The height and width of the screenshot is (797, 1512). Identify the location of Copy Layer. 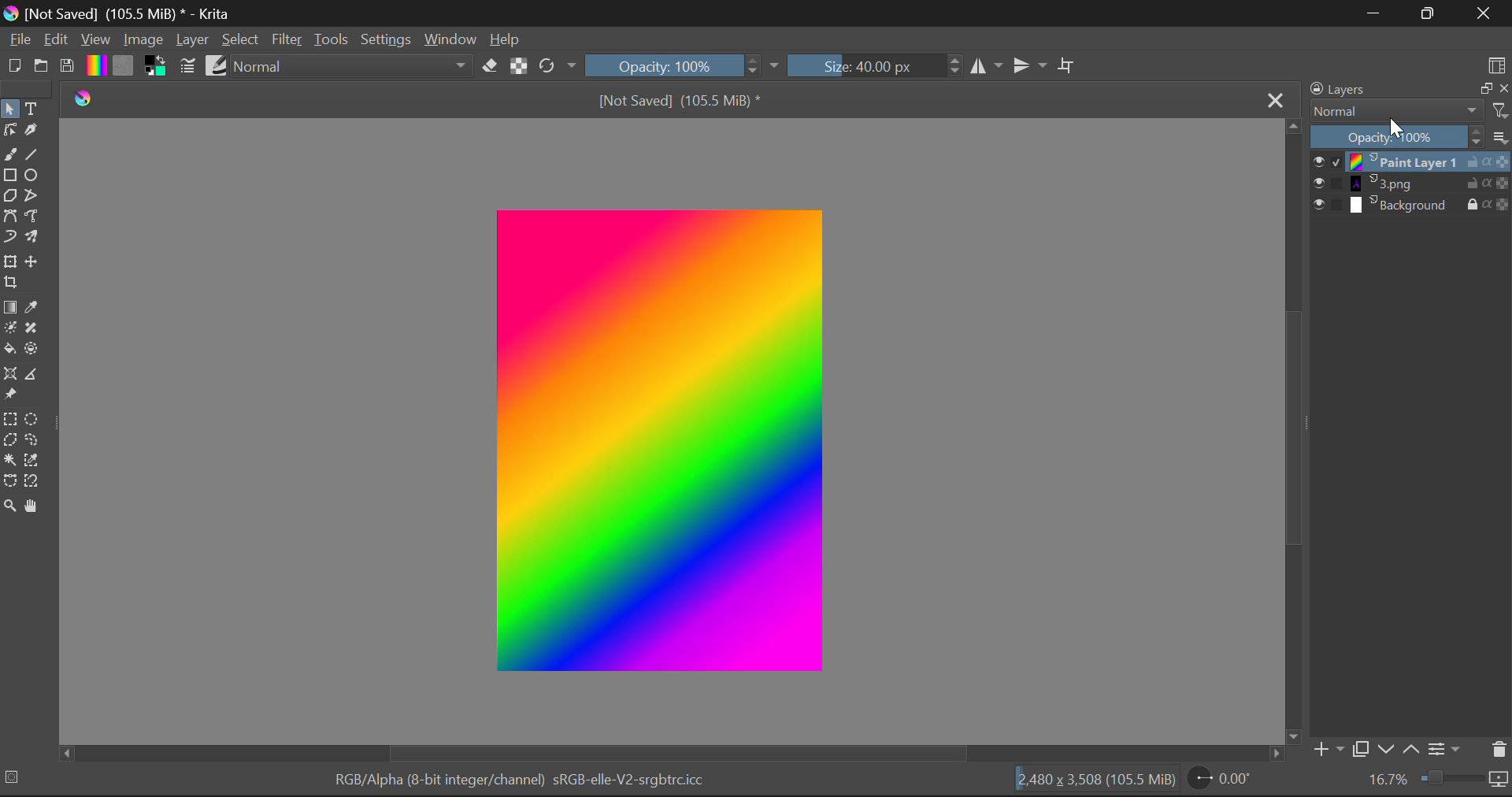
(1481, 89).